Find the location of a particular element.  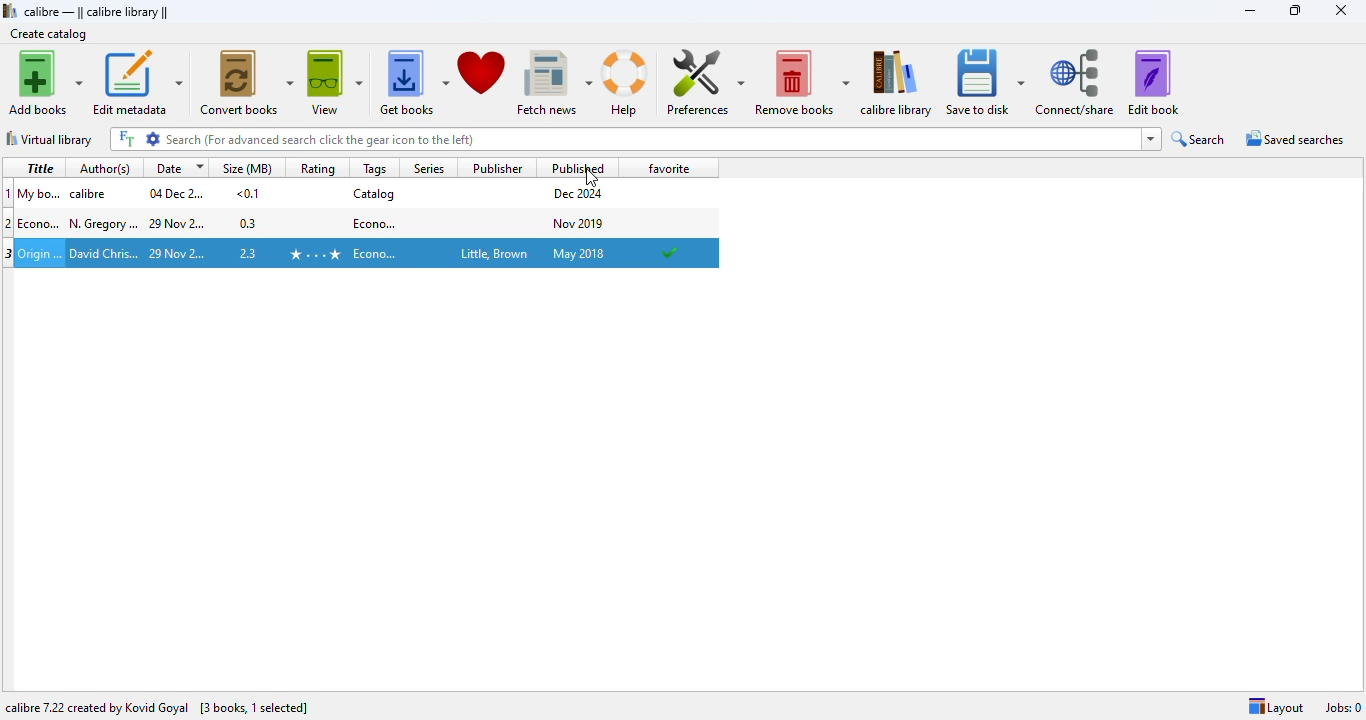

1 is located at coordinates (9, 192).